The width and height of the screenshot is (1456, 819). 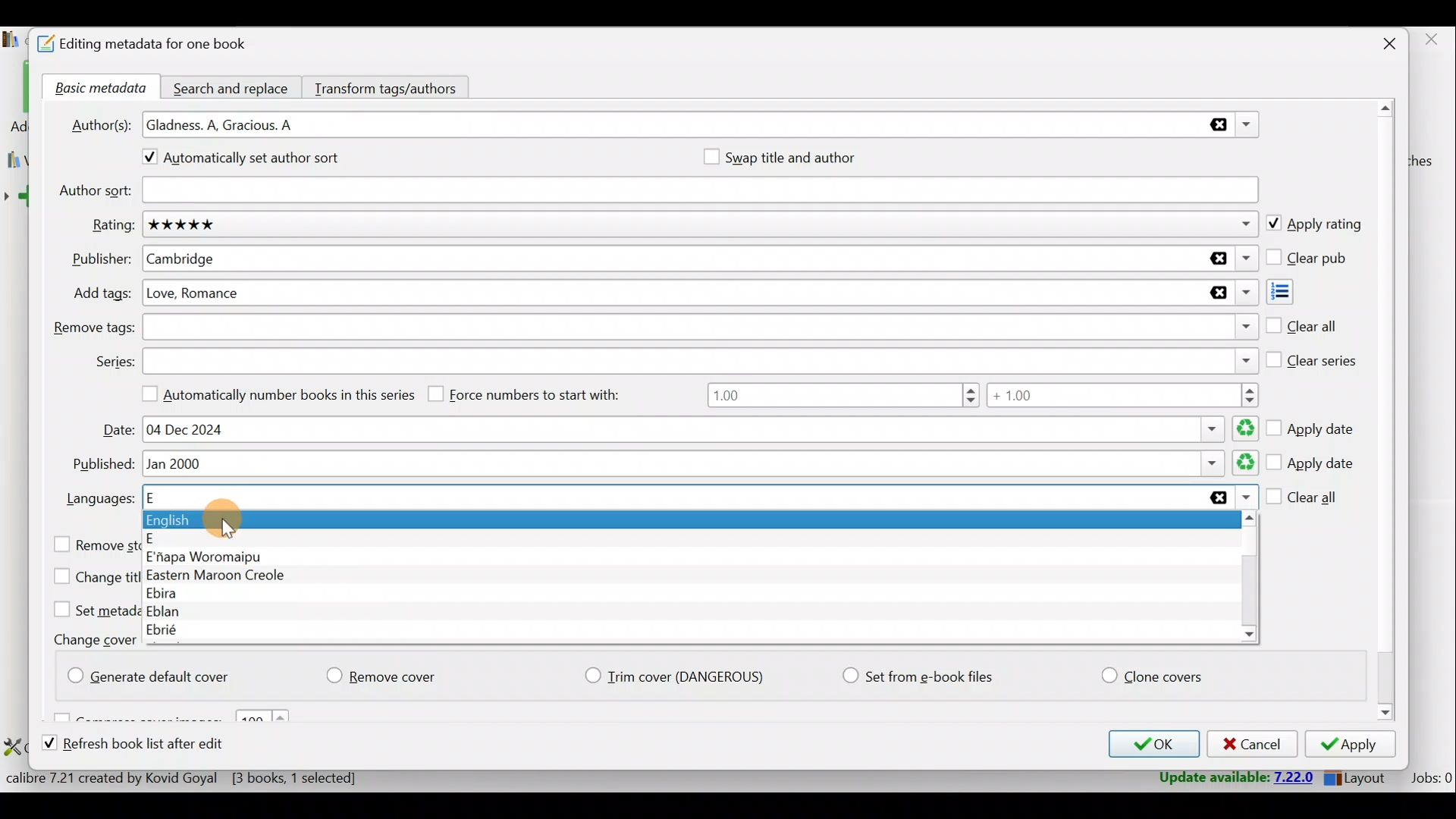 I want to click on Remove stored conversion settings for the selected books, so click(x=93, y=544).